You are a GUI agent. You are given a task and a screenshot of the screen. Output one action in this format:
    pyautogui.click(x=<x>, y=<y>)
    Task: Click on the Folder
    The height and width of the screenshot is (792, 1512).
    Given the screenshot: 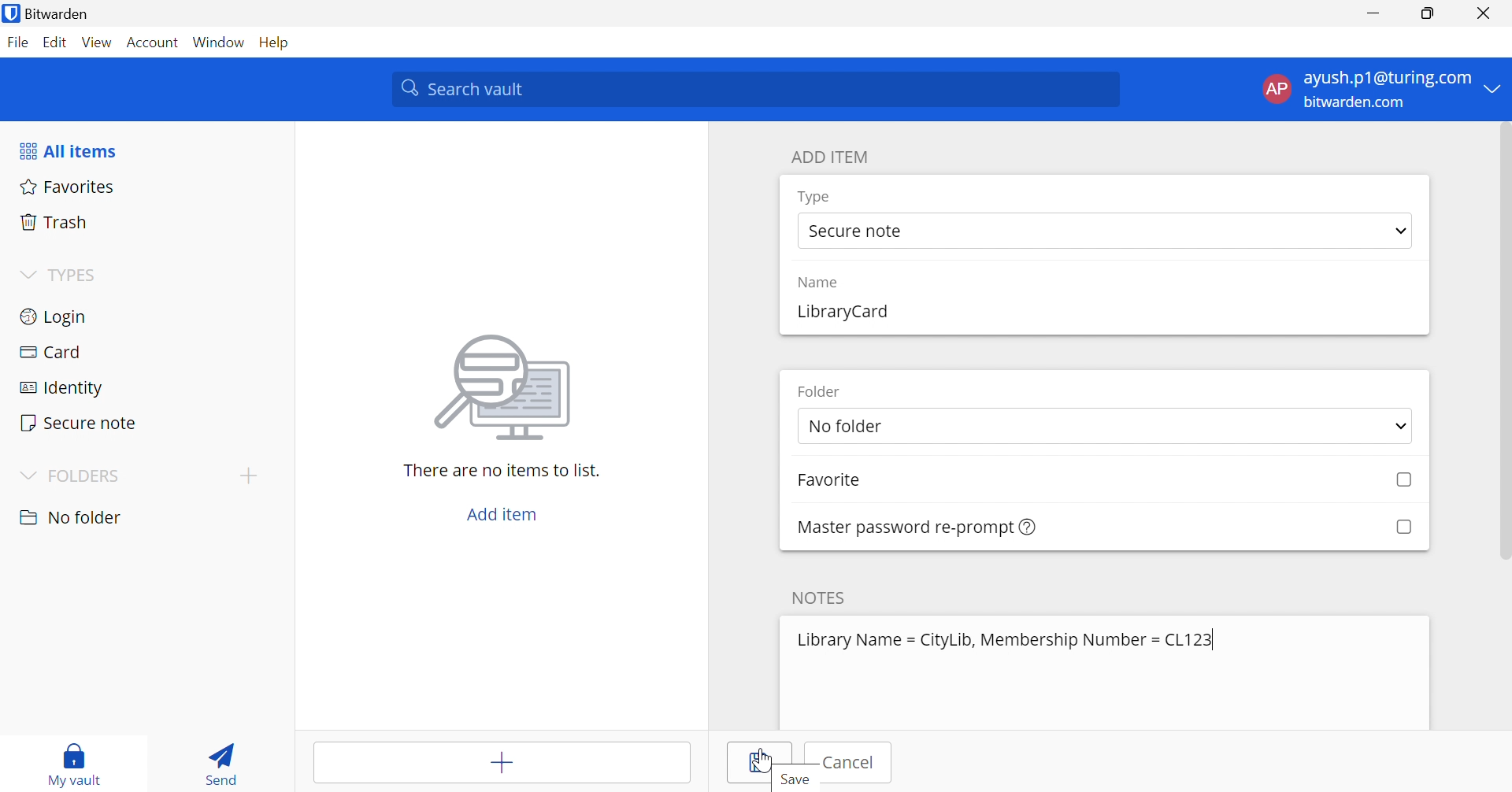 What is the action you would take?
    pyautogui.click(x=819, y=393)
    